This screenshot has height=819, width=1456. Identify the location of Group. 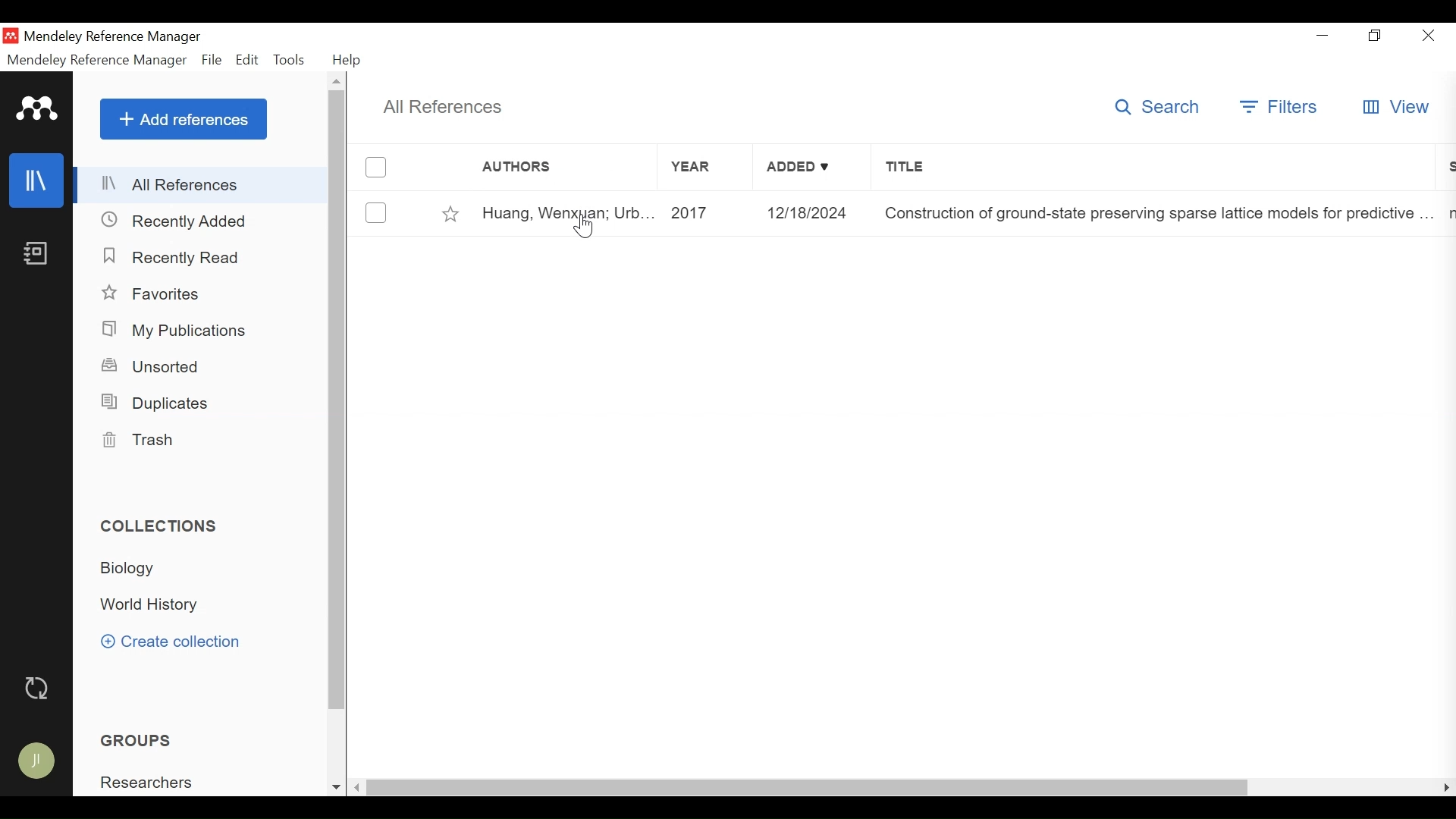
(155, 783).